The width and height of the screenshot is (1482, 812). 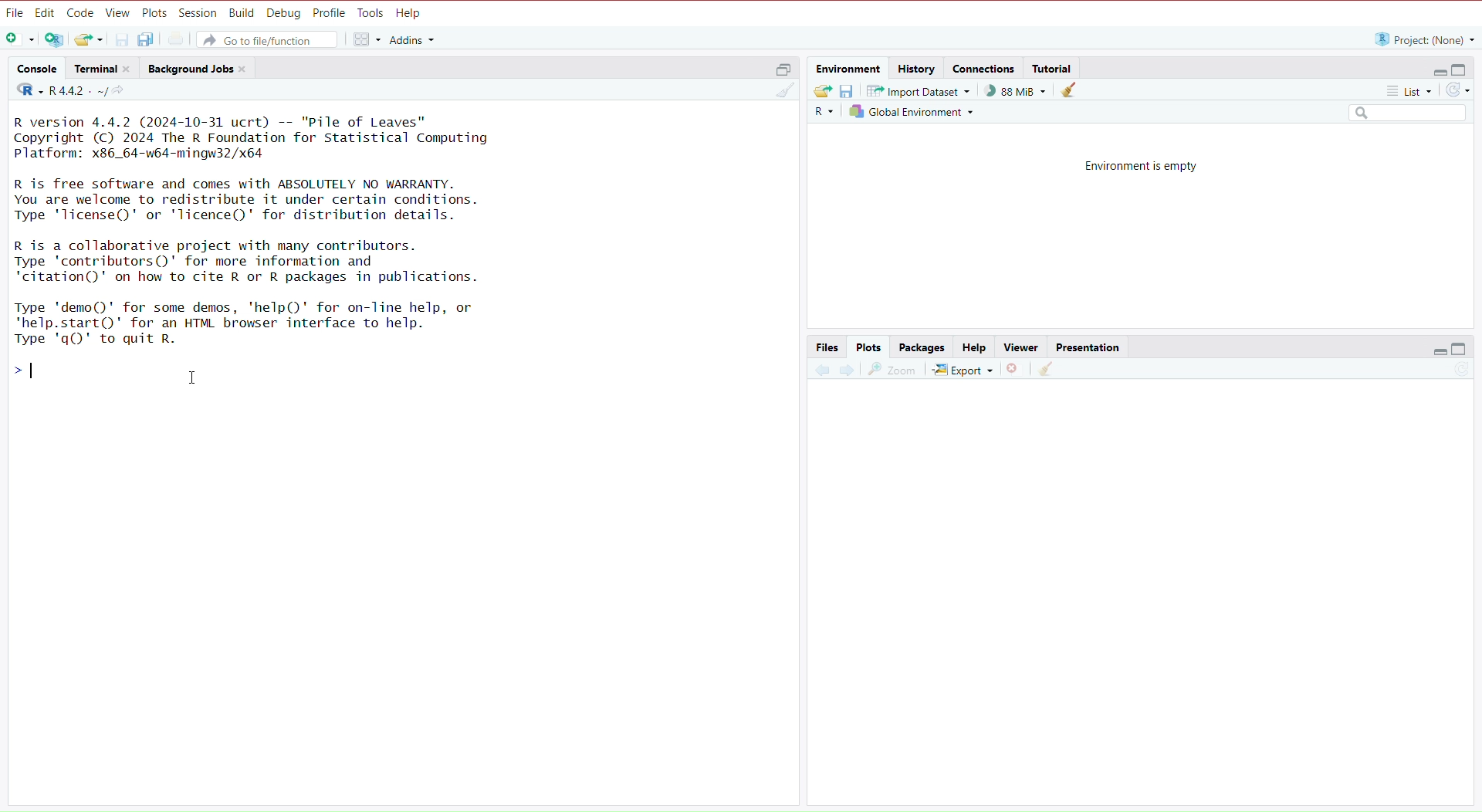 I want to click on Debug, so click(x=284, y=12).